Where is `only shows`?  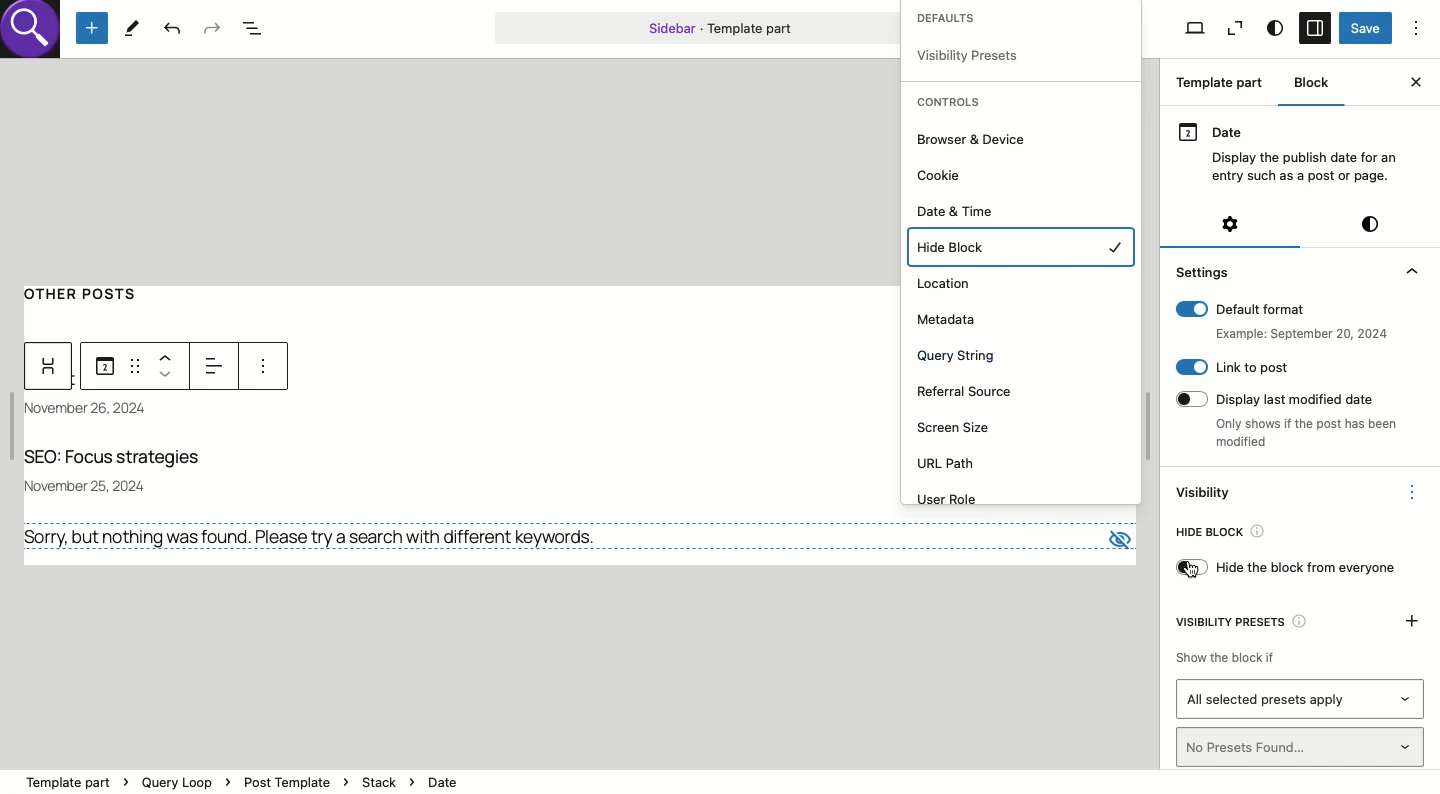 only shows is located at coordinates (1307, 435).